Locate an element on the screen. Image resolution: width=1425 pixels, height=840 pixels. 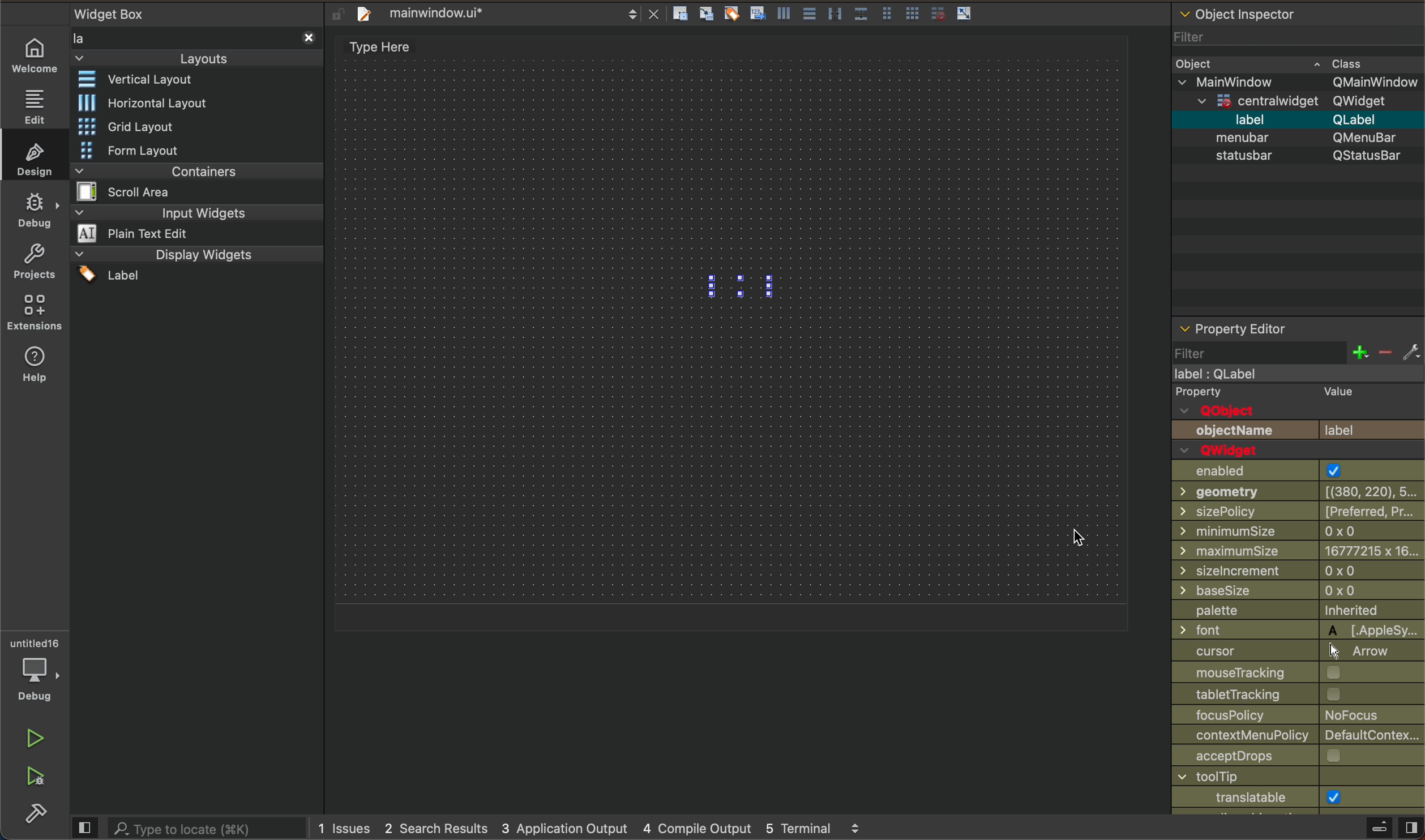
label  is located at coordinates (751, 281).